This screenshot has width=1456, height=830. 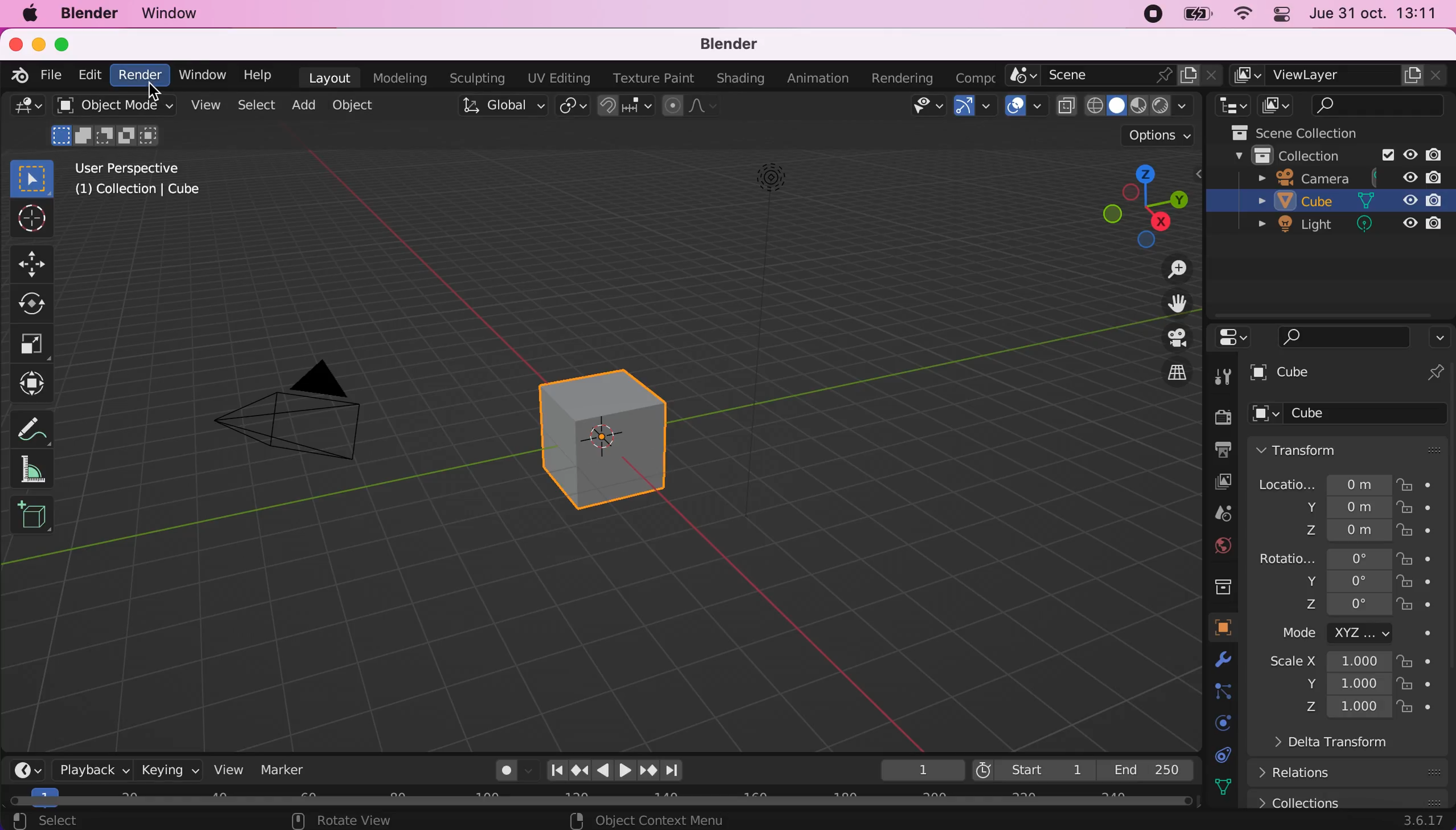 What do you see at coordinates (28, 383) in the screenshot?
I see `transform` at bounding box center [28, 383].